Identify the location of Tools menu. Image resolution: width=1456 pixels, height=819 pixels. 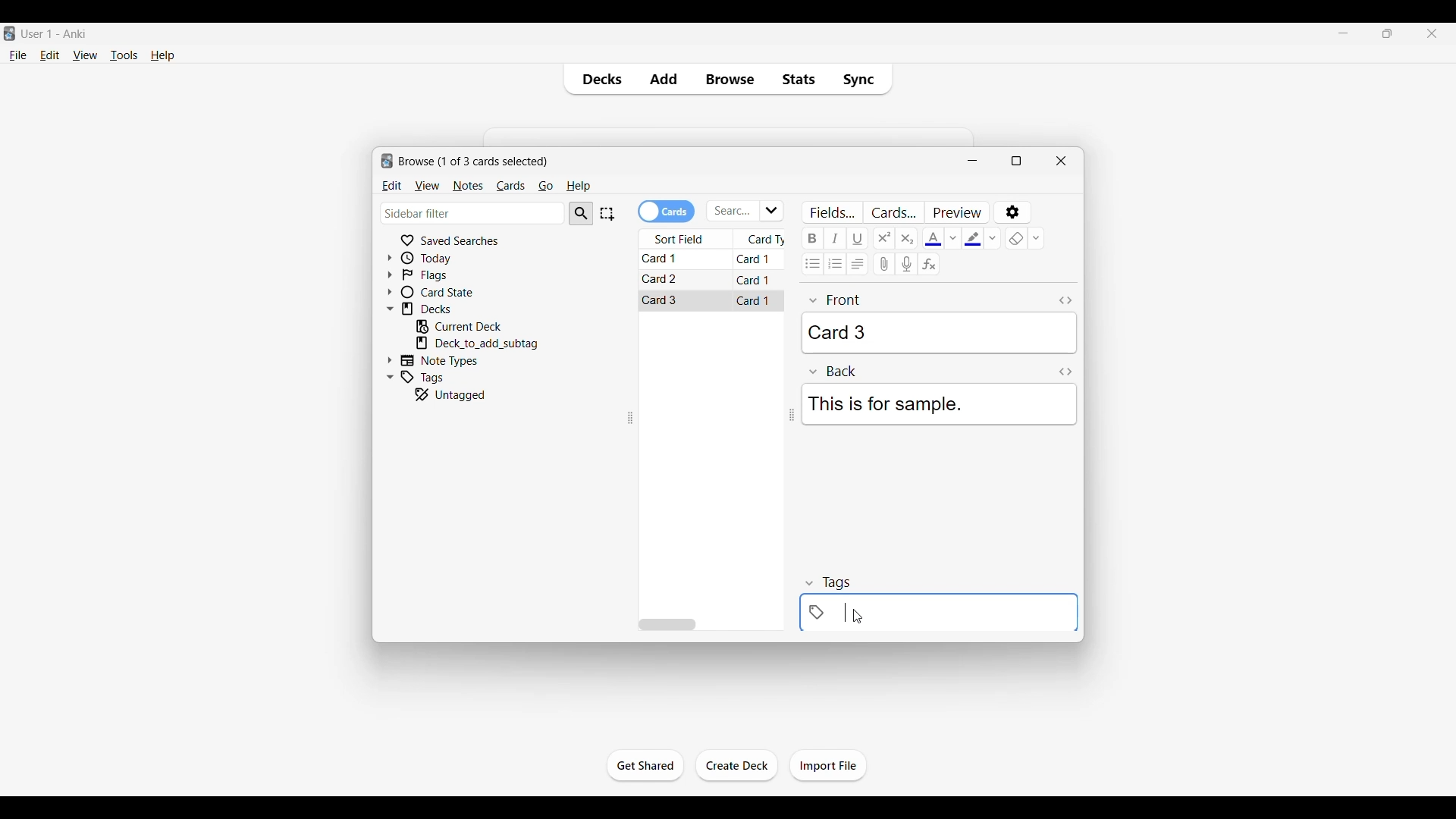
(124, 55).